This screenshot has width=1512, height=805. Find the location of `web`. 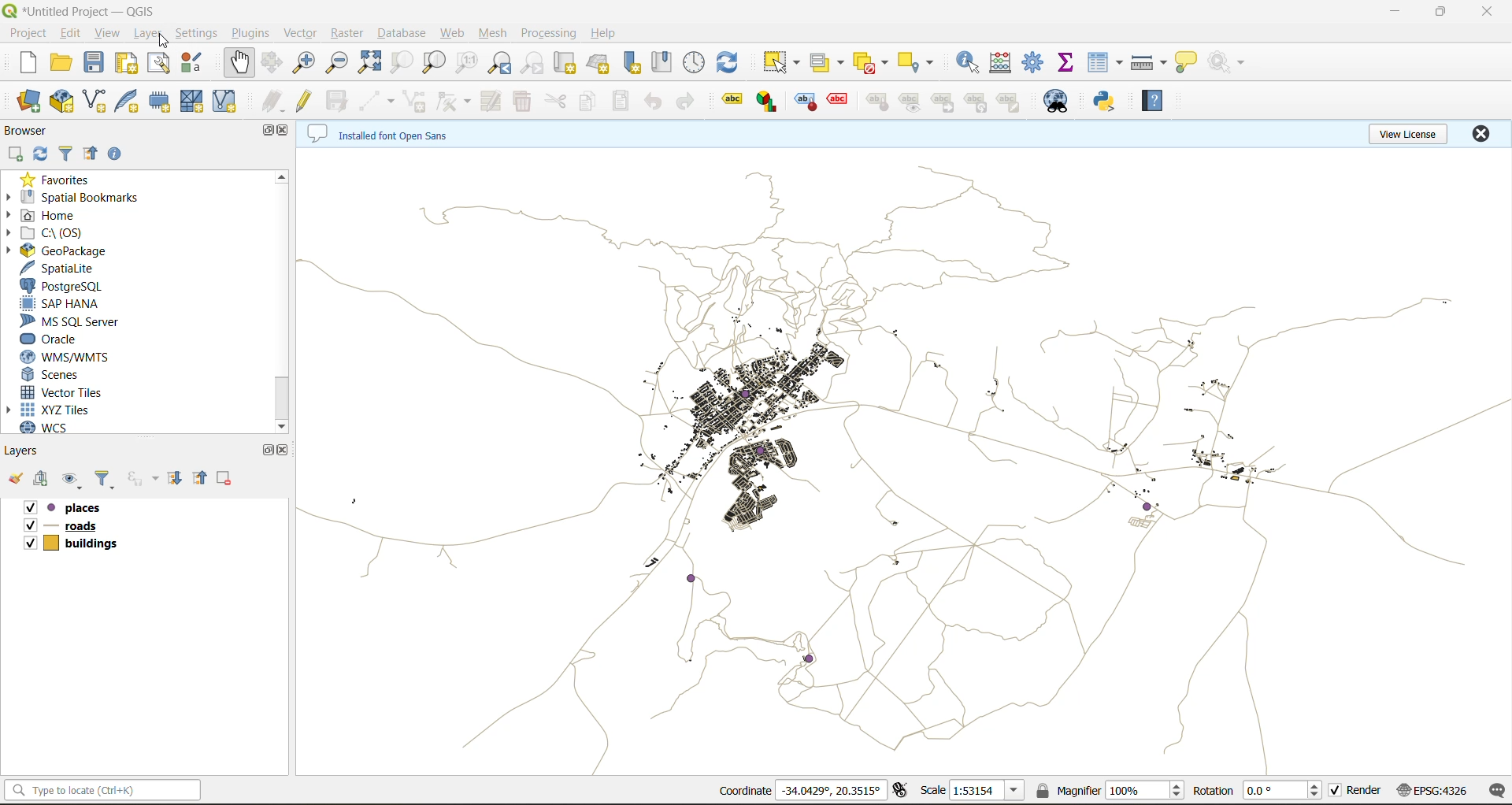

web is located at coordinates (454, 34).